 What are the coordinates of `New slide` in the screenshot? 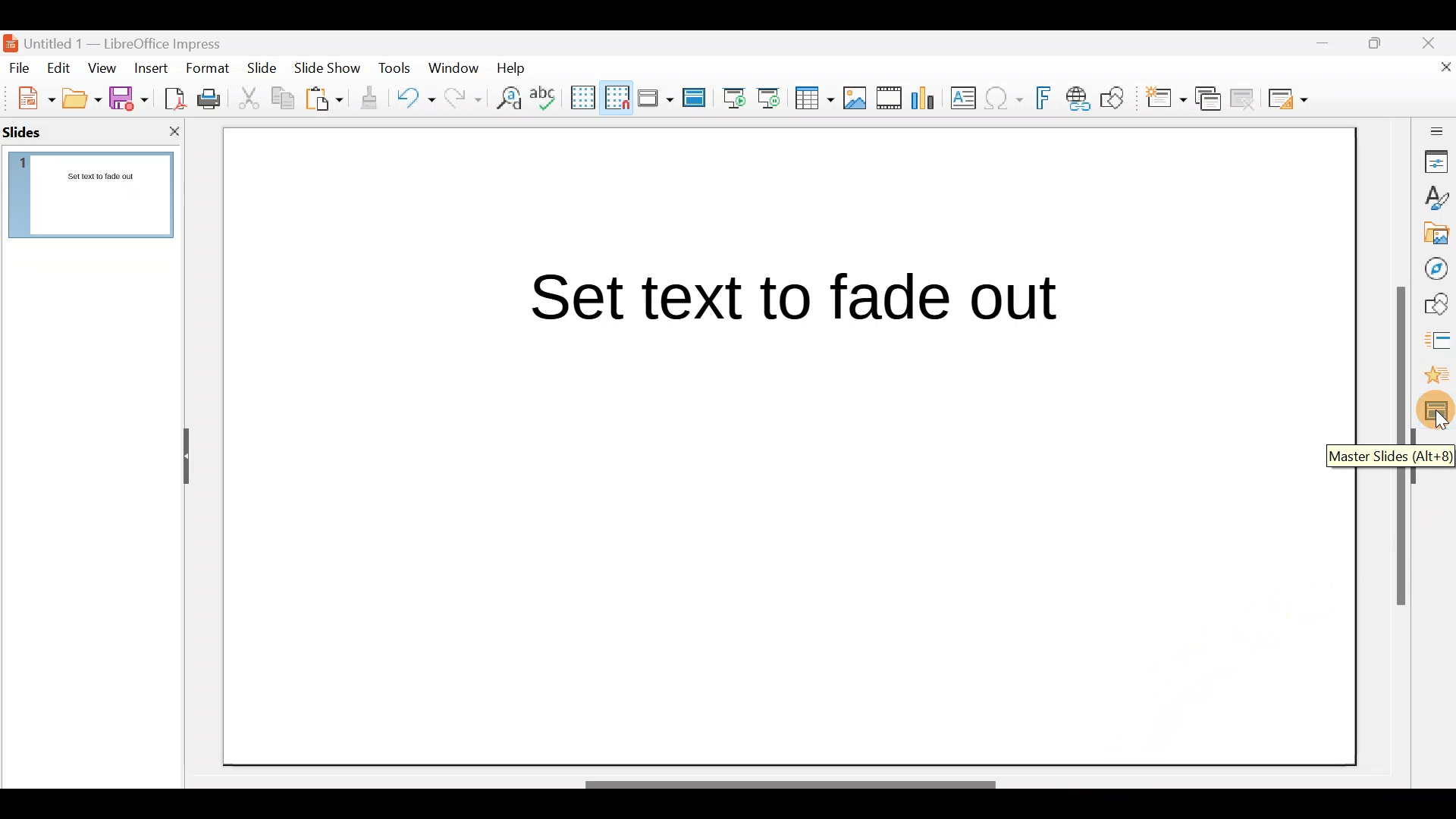 It's located at (1165, 102).